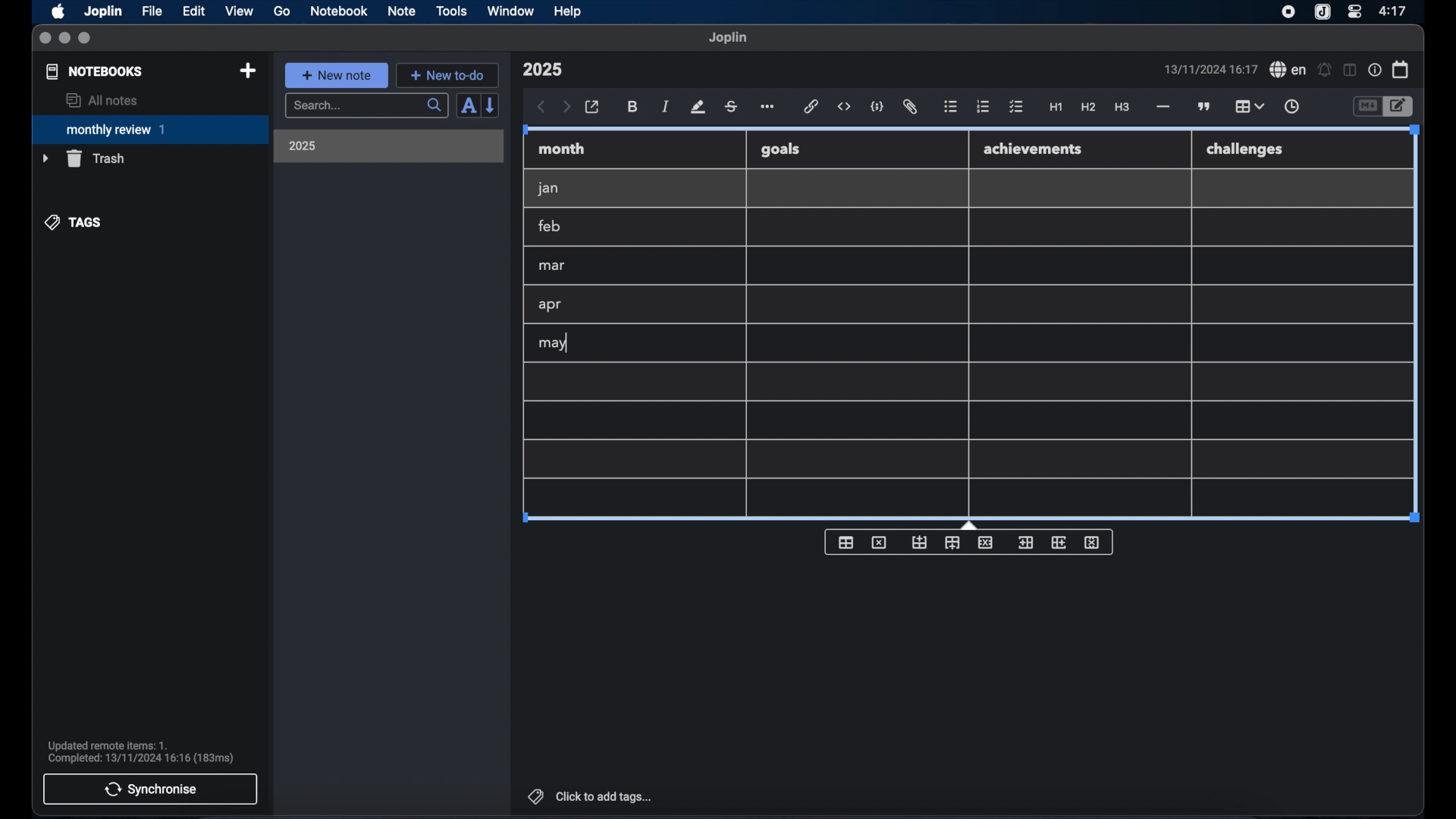 The image size is (1456, 819). I want to click on strikethrough, so click(730, 107).